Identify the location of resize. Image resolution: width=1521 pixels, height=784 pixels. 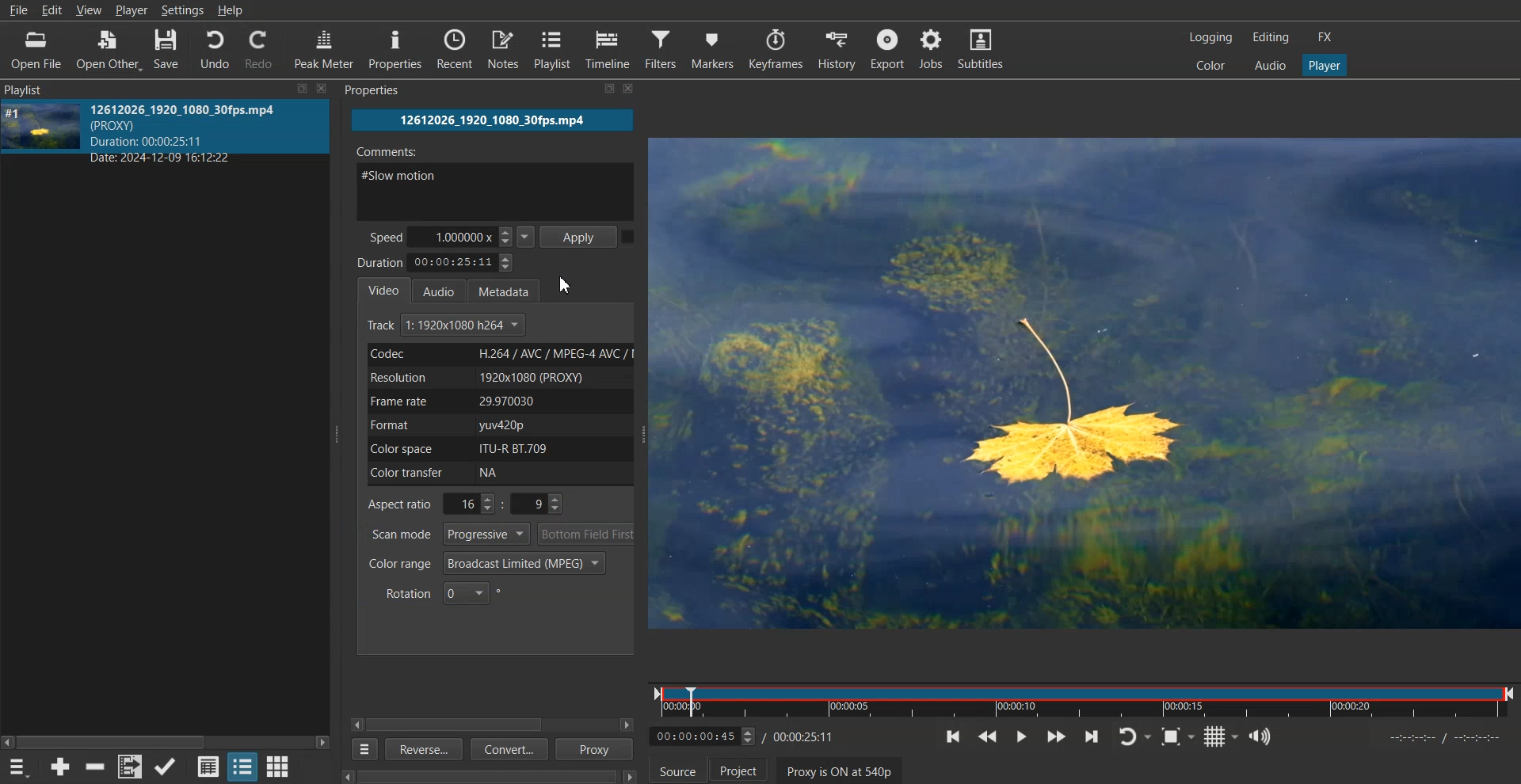
(600, 91).